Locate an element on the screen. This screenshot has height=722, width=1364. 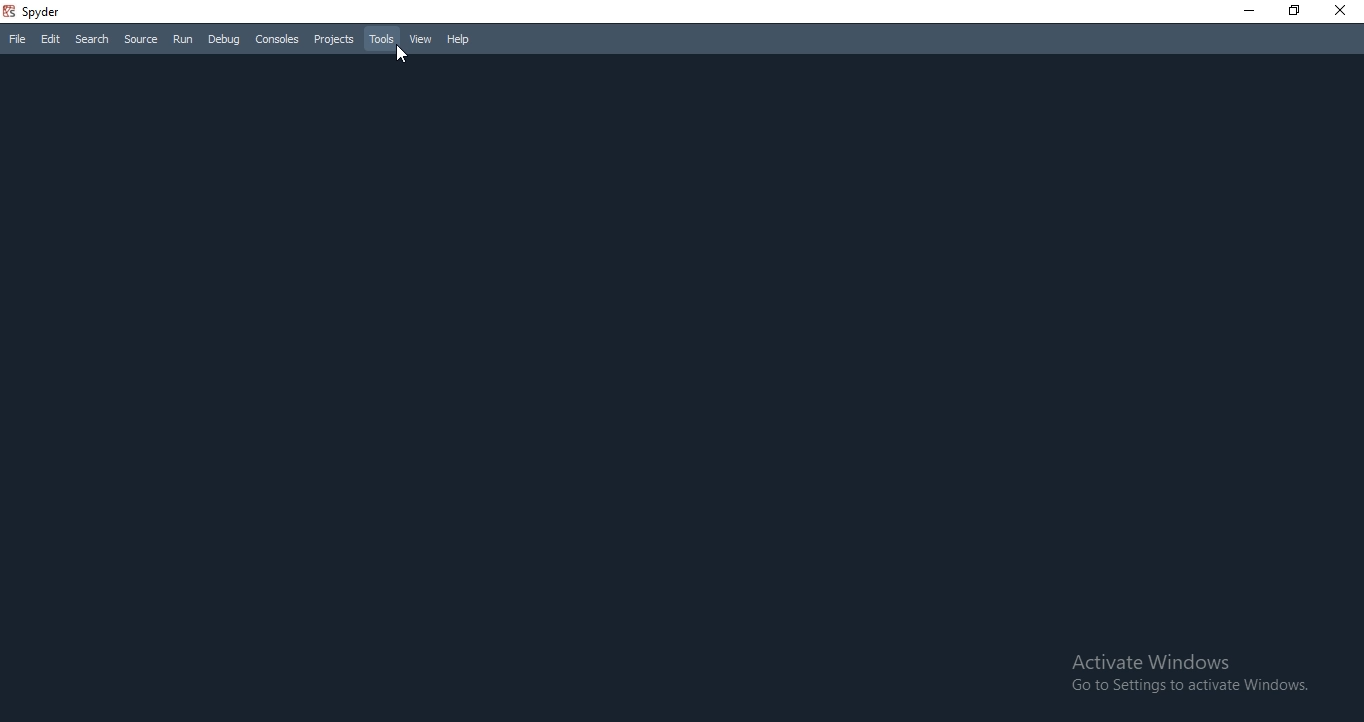
Search is located at coordinates (93, 39).